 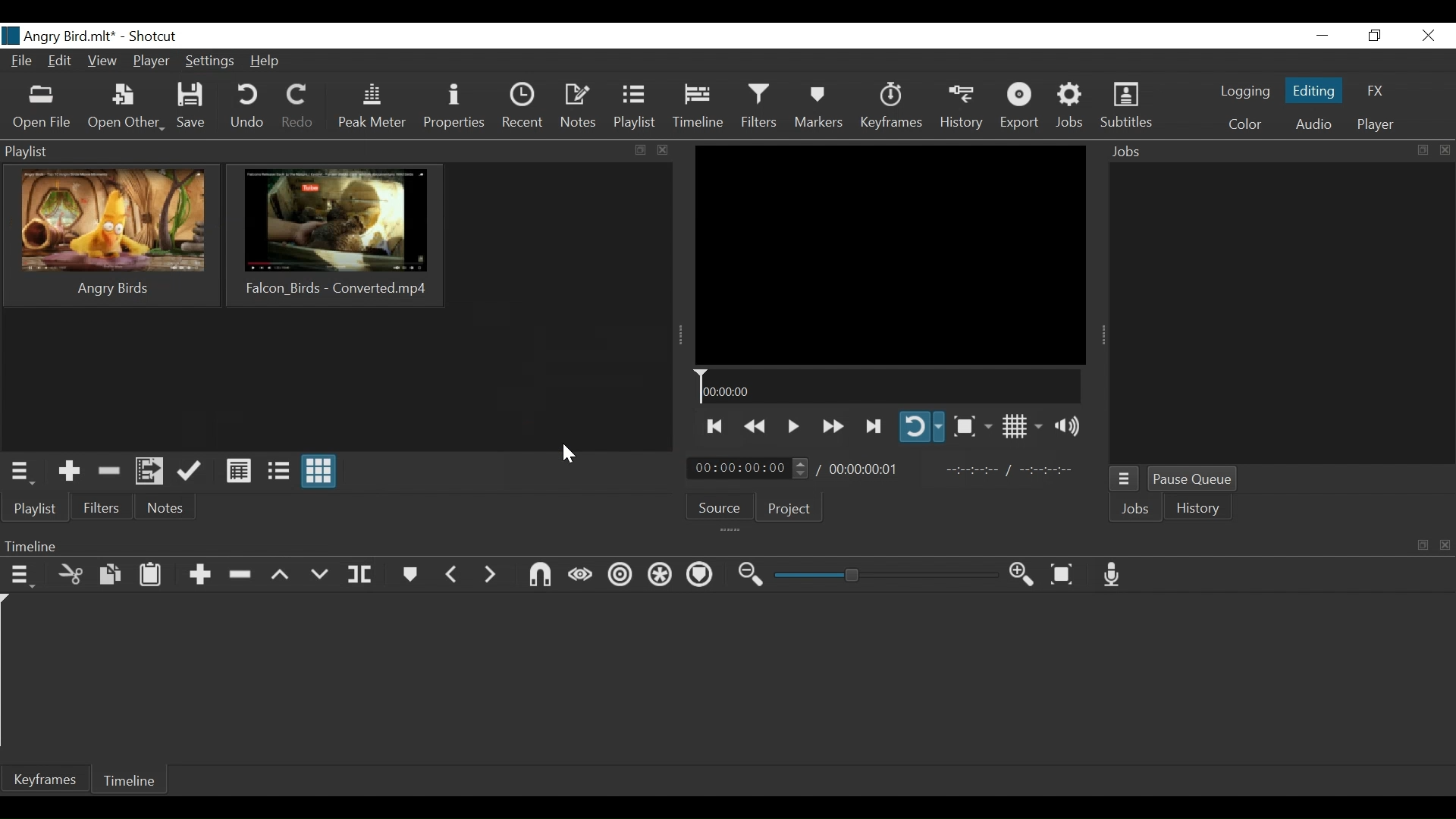 I want to click on Source, so click(x=721, y=507).